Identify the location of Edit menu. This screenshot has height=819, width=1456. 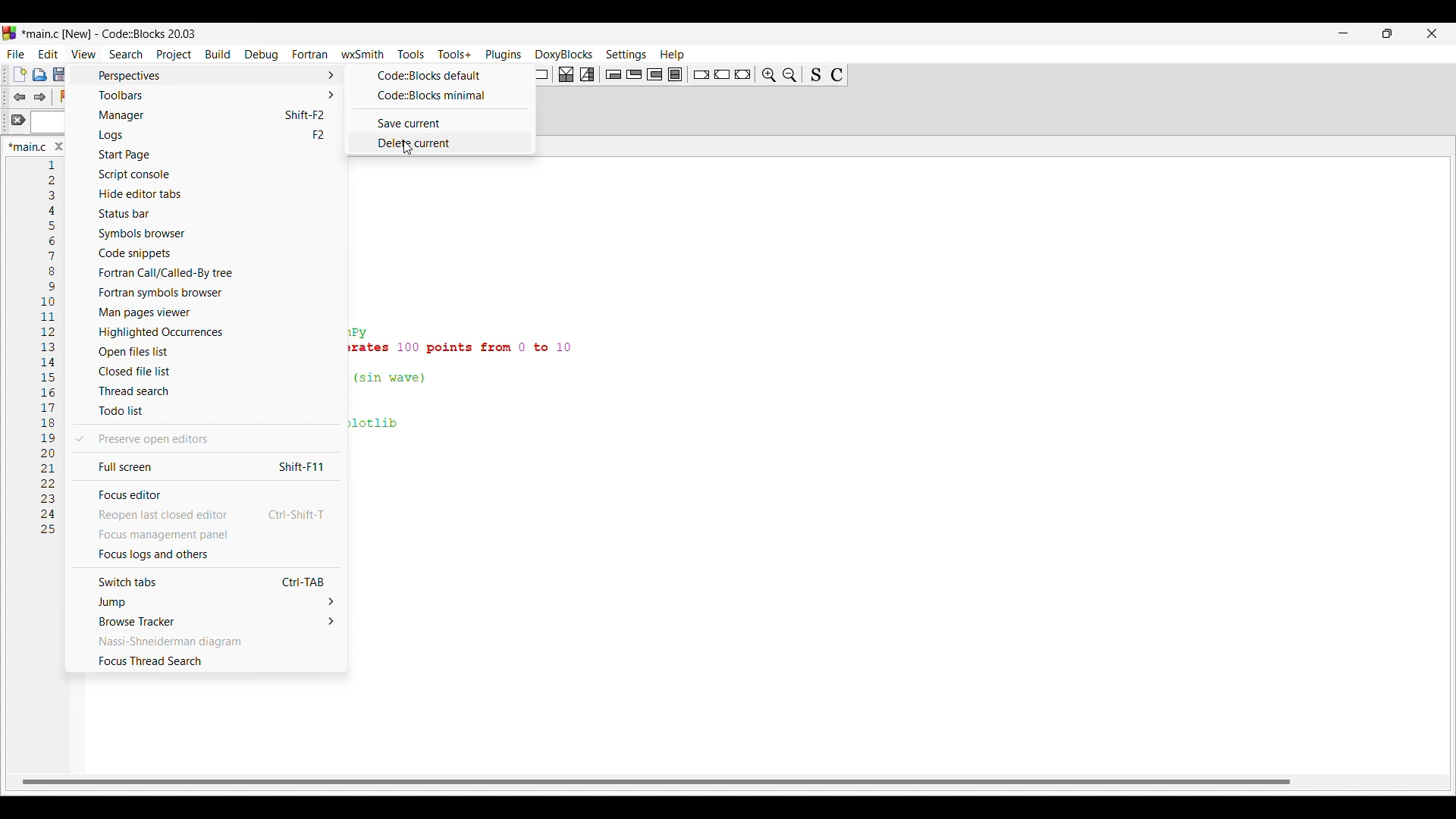
(49, 55).